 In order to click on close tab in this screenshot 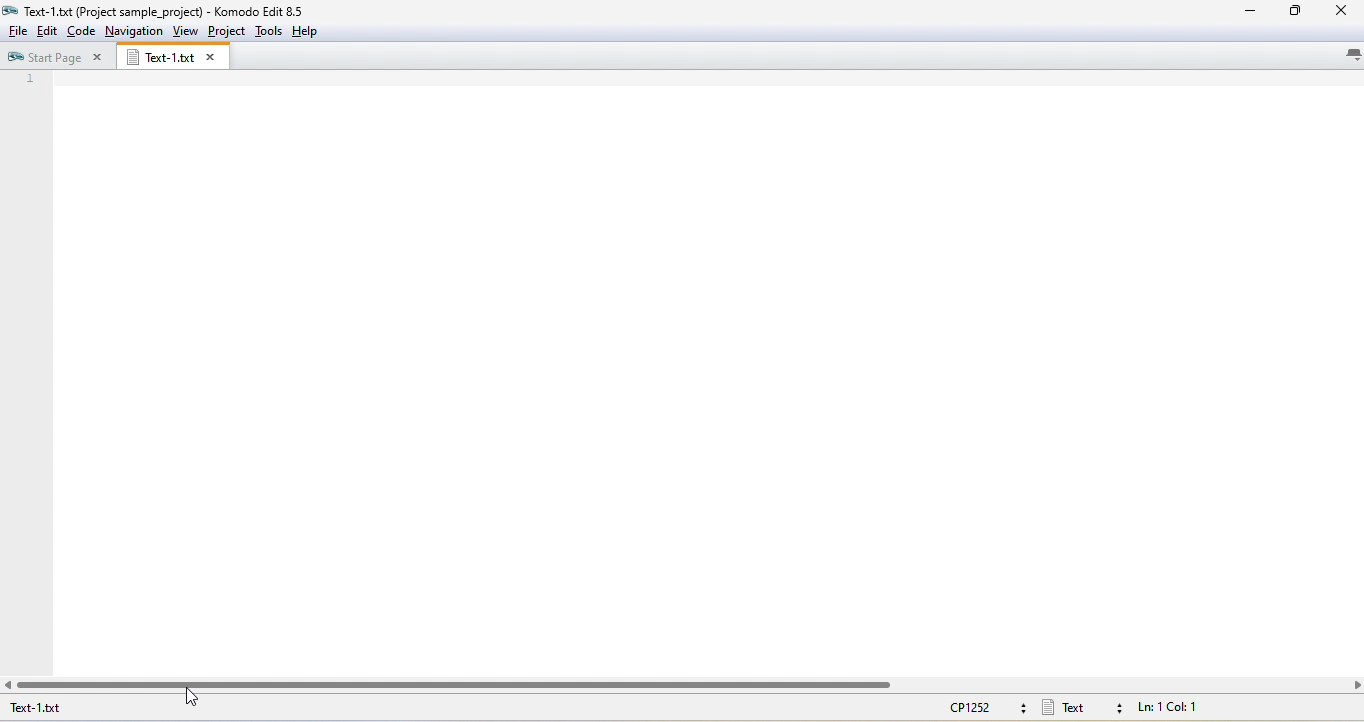, I will do `click(214, 58)`.